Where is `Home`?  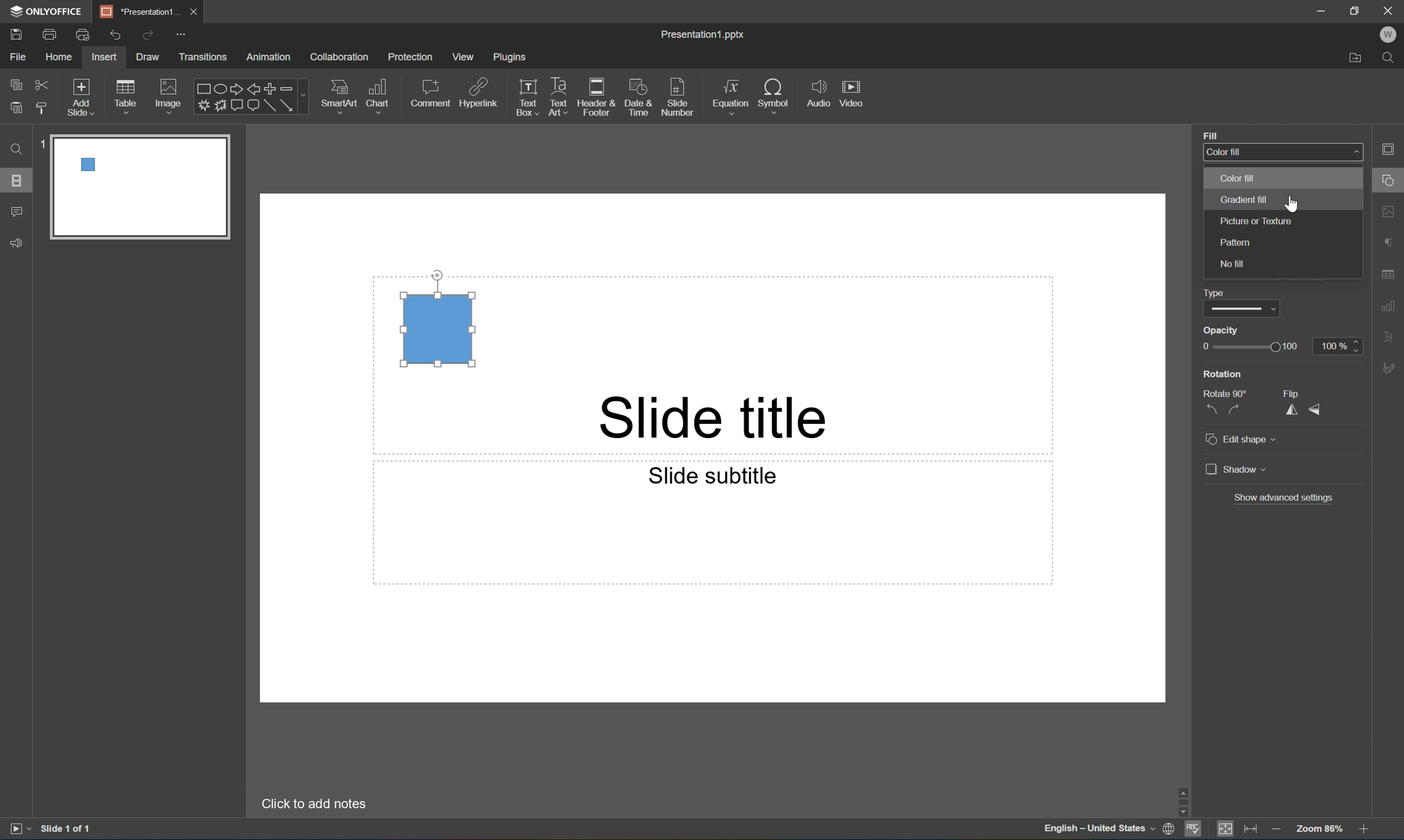
Home is located at coordinates (60, 57).